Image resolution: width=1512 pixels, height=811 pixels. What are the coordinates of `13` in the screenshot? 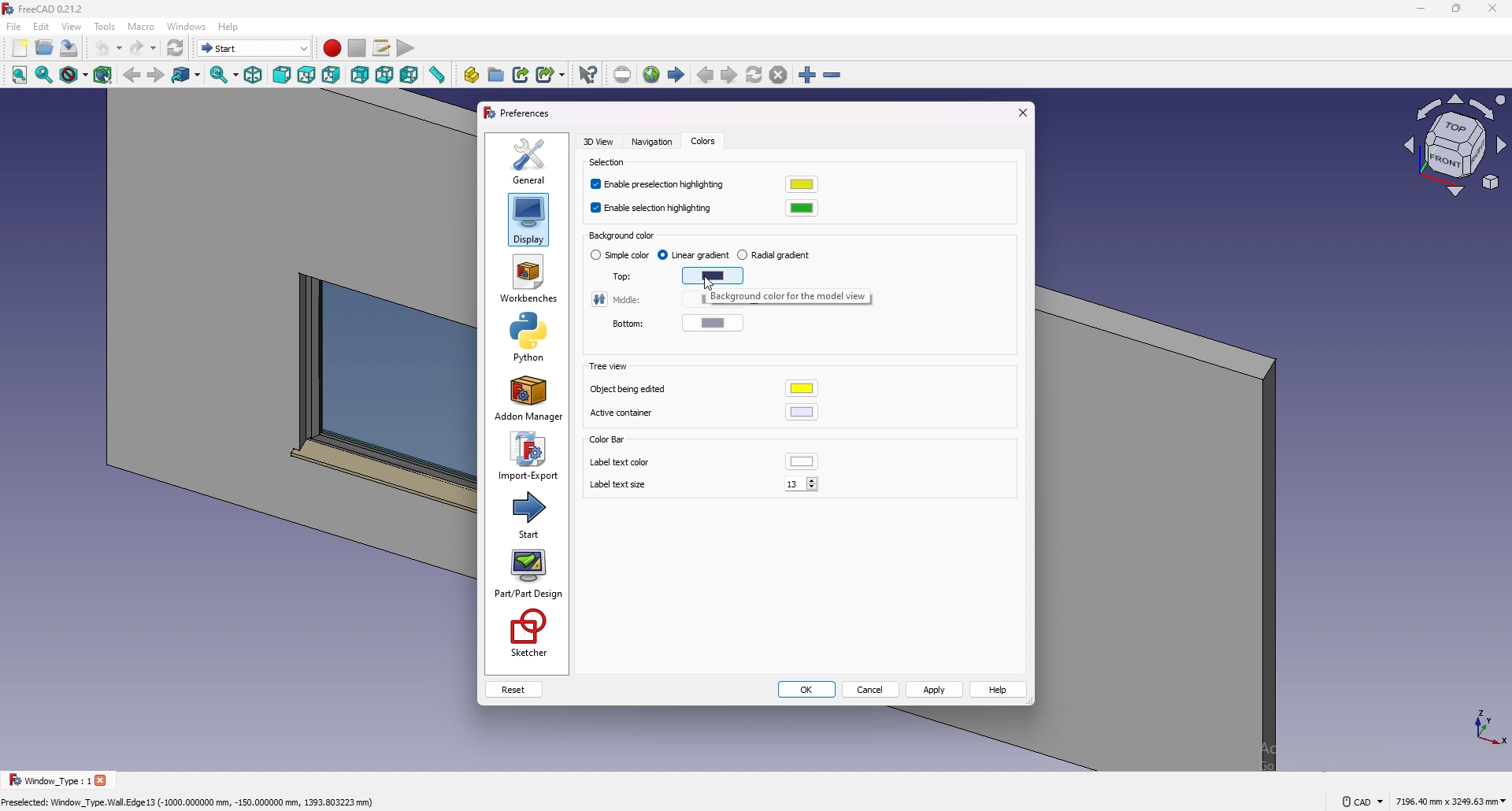 It's located at (803, 483).